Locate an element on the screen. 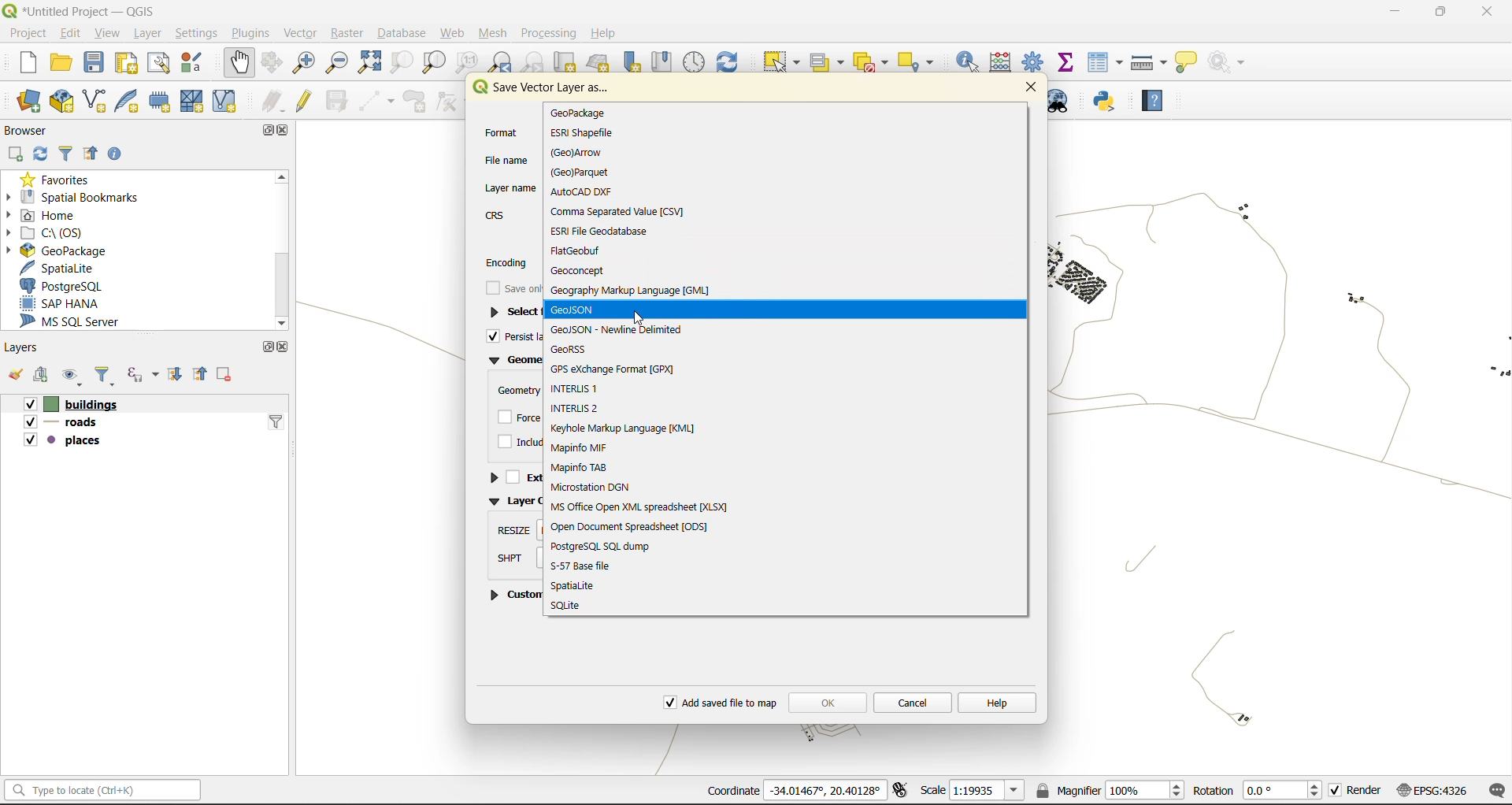 The width and height of the screenshot is (1512, 805). esri shapefile is located at coordinates (583, 133).